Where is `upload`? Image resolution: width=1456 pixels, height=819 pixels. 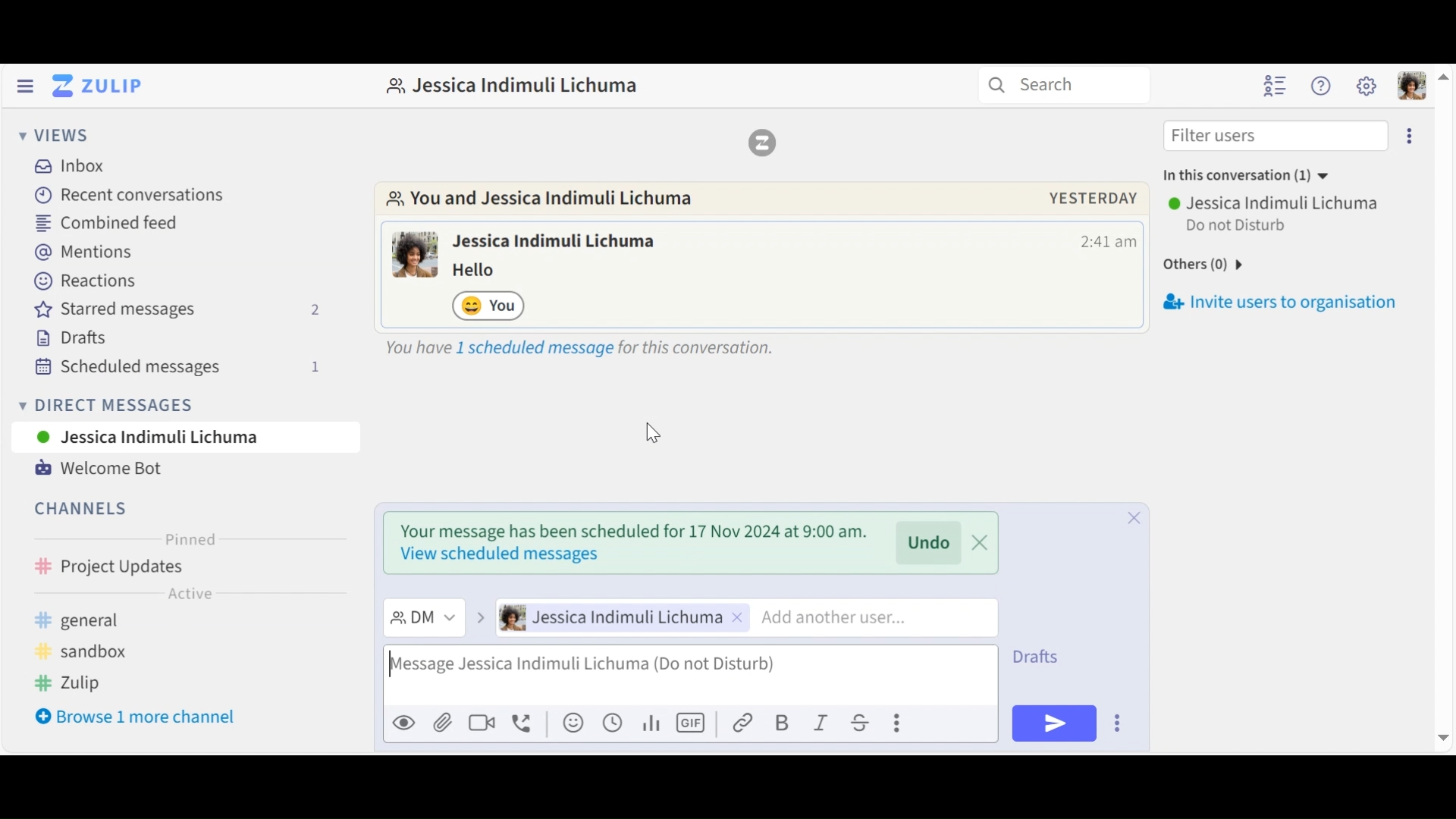
upload is located at coordinates (443, 725).